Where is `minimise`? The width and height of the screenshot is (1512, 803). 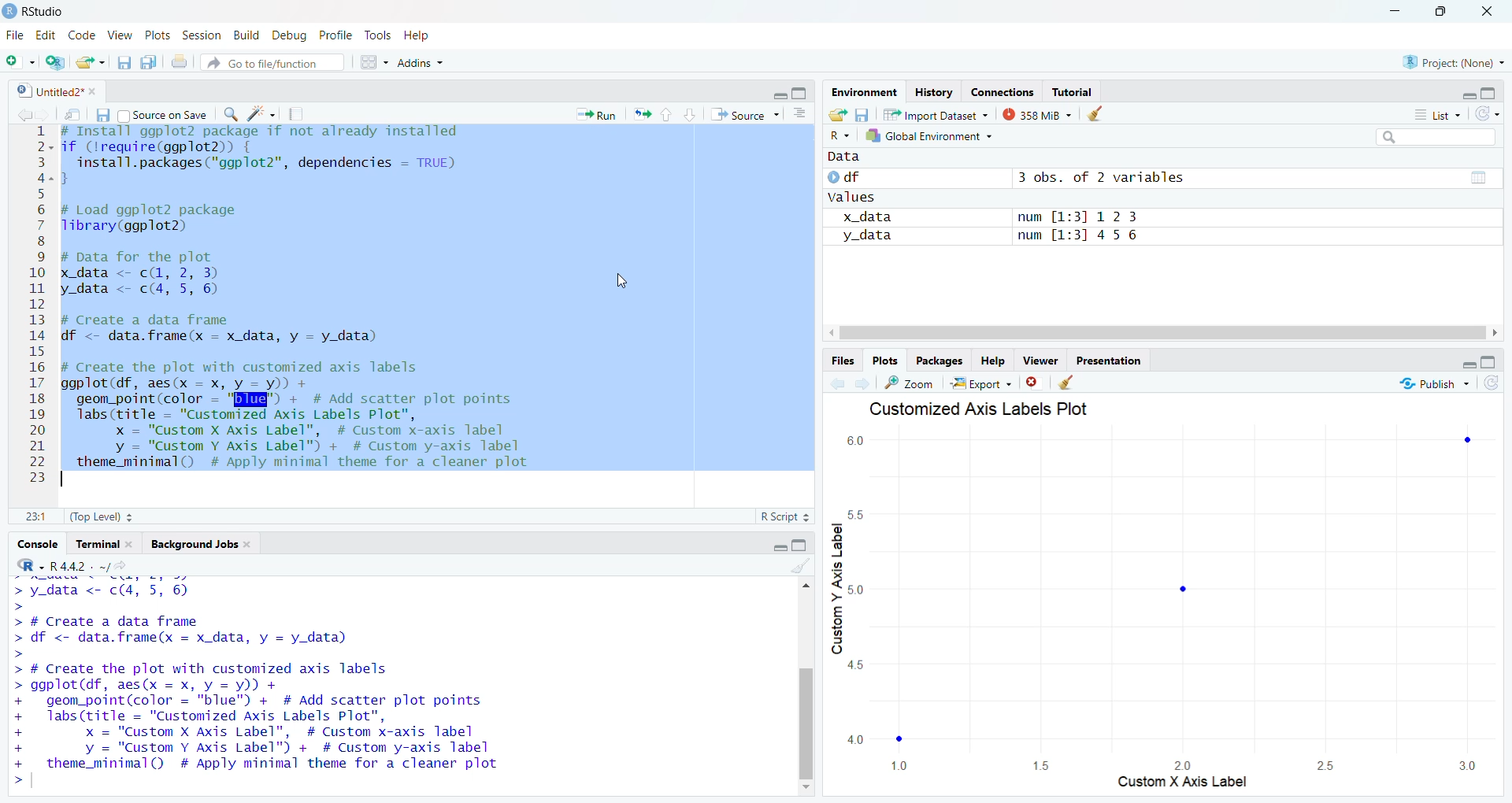
minimise is located at coordinates (775, 545).